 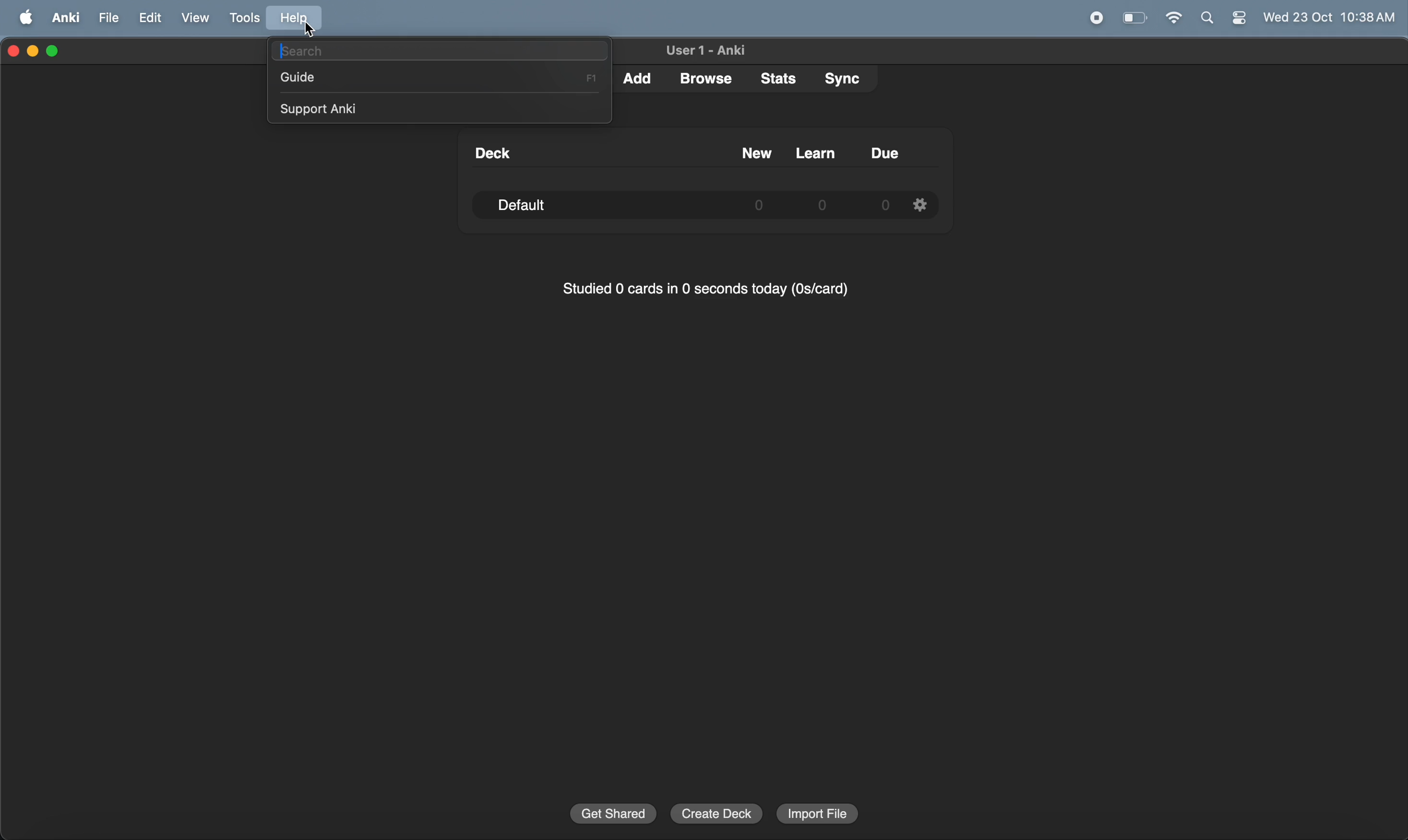 I want to click on setting, so click(x=921, y=204).